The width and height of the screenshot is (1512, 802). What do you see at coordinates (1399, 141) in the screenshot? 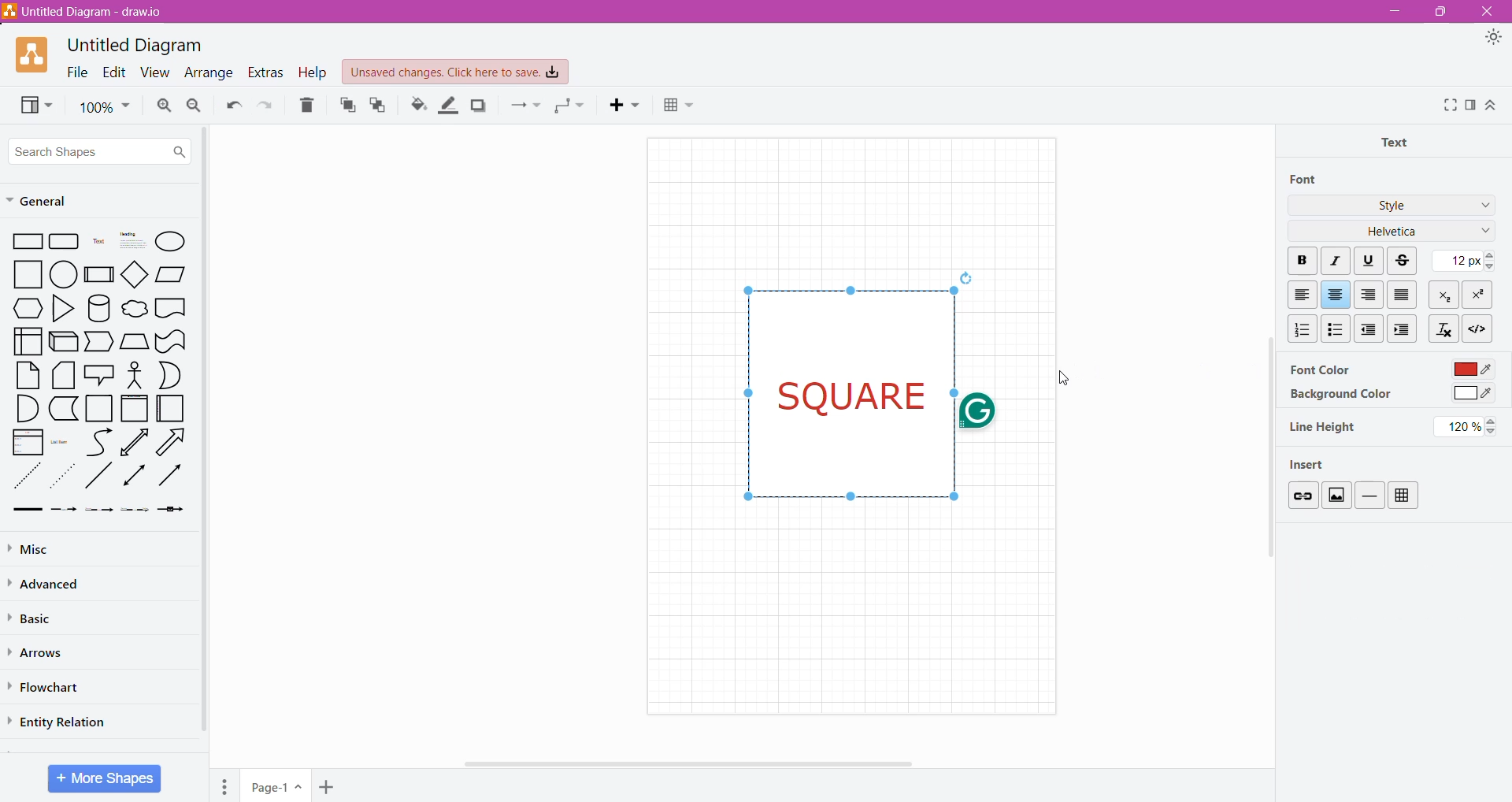
I see `Text` at bounding box center [1399, 141].